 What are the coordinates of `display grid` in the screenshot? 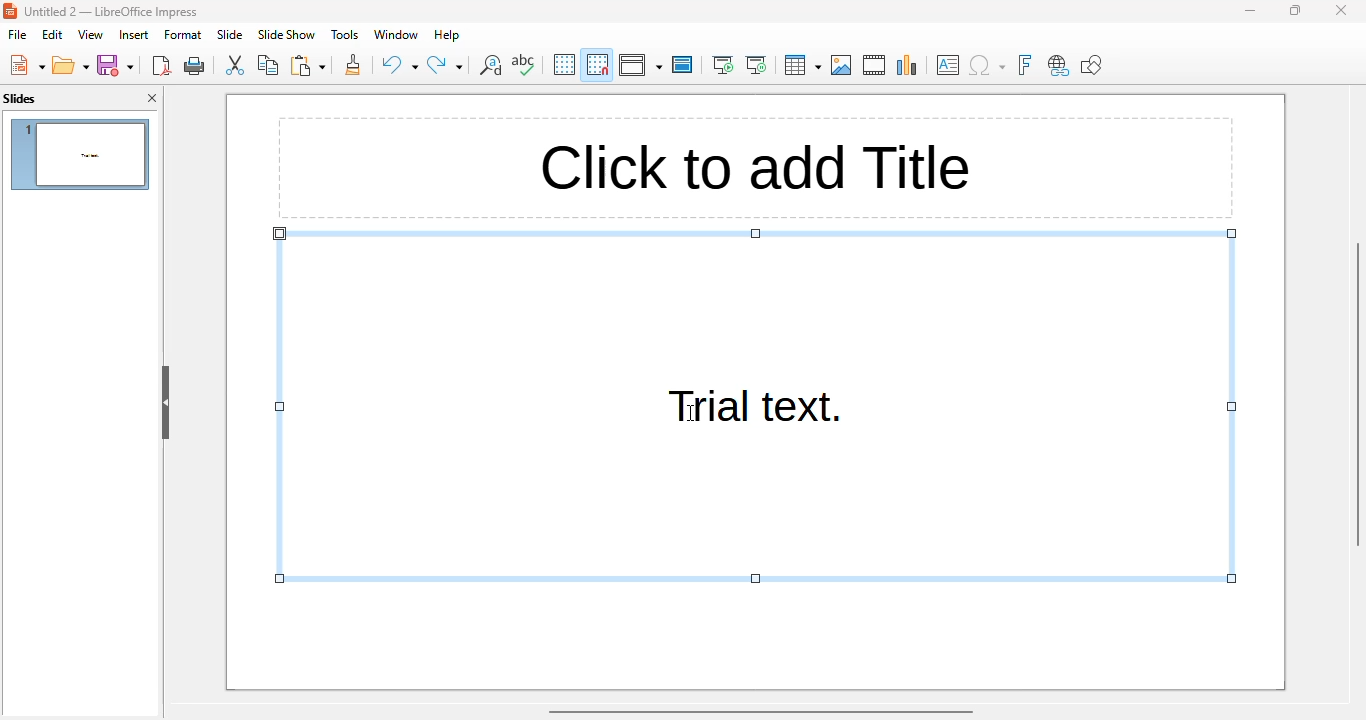 It's located at (563, 65).